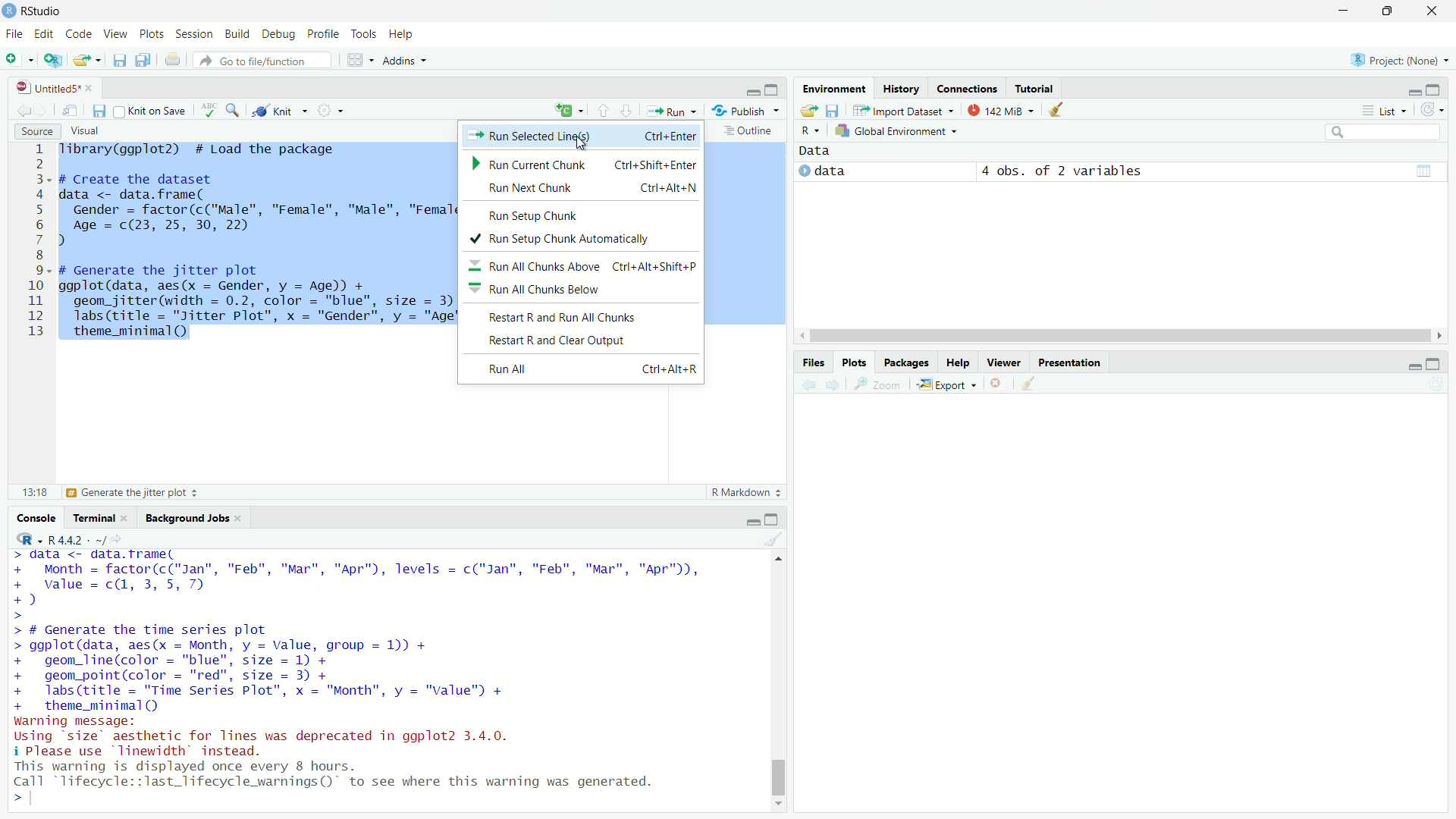 The width and height of the screenshot is (1456, 819). Describe the element at coordinates (575, 289) in the screenshot. I see `Run All Chunks Below` at that location.